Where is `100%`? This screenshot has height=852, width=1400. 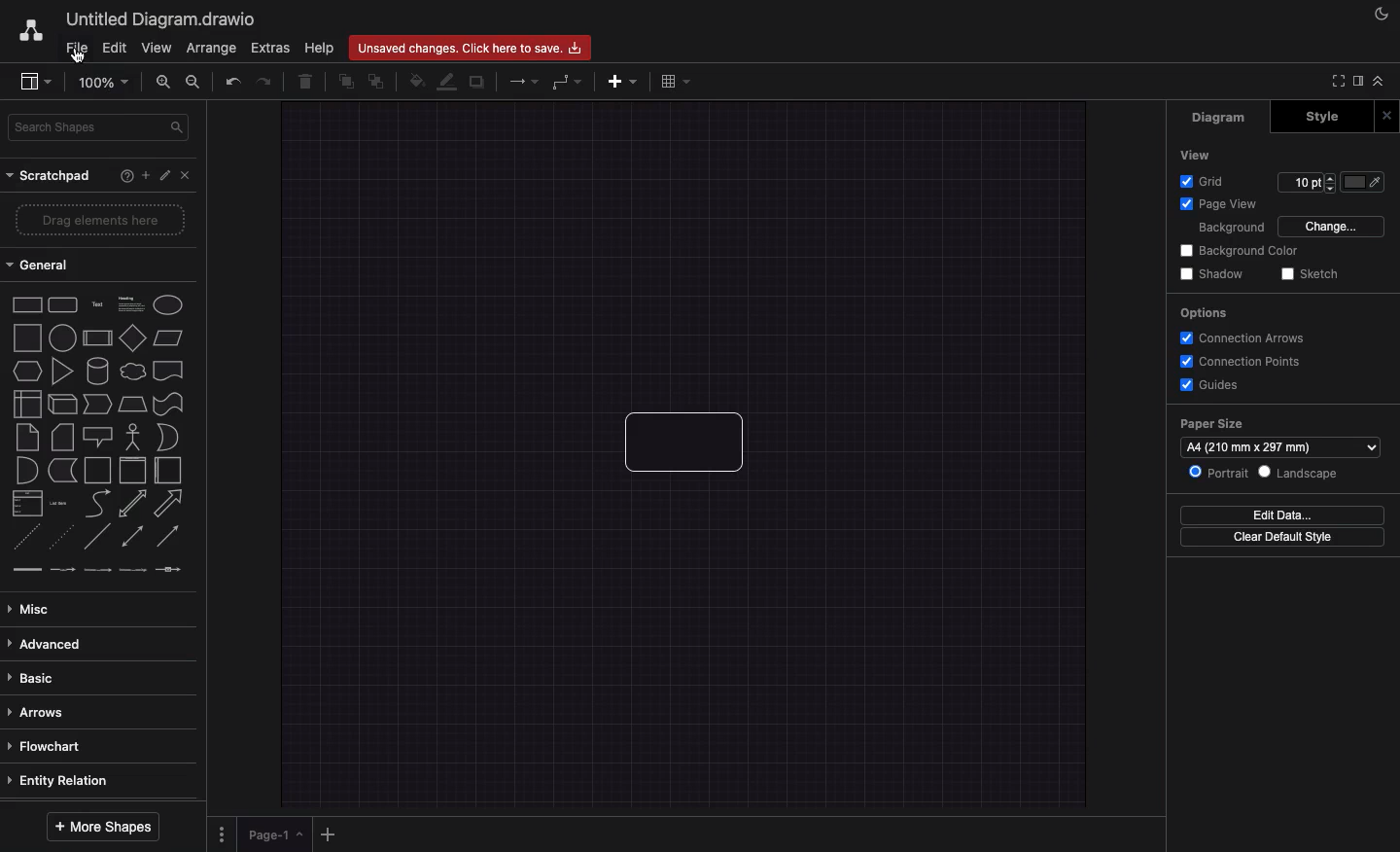 100% is located at coordinates (108, 83).